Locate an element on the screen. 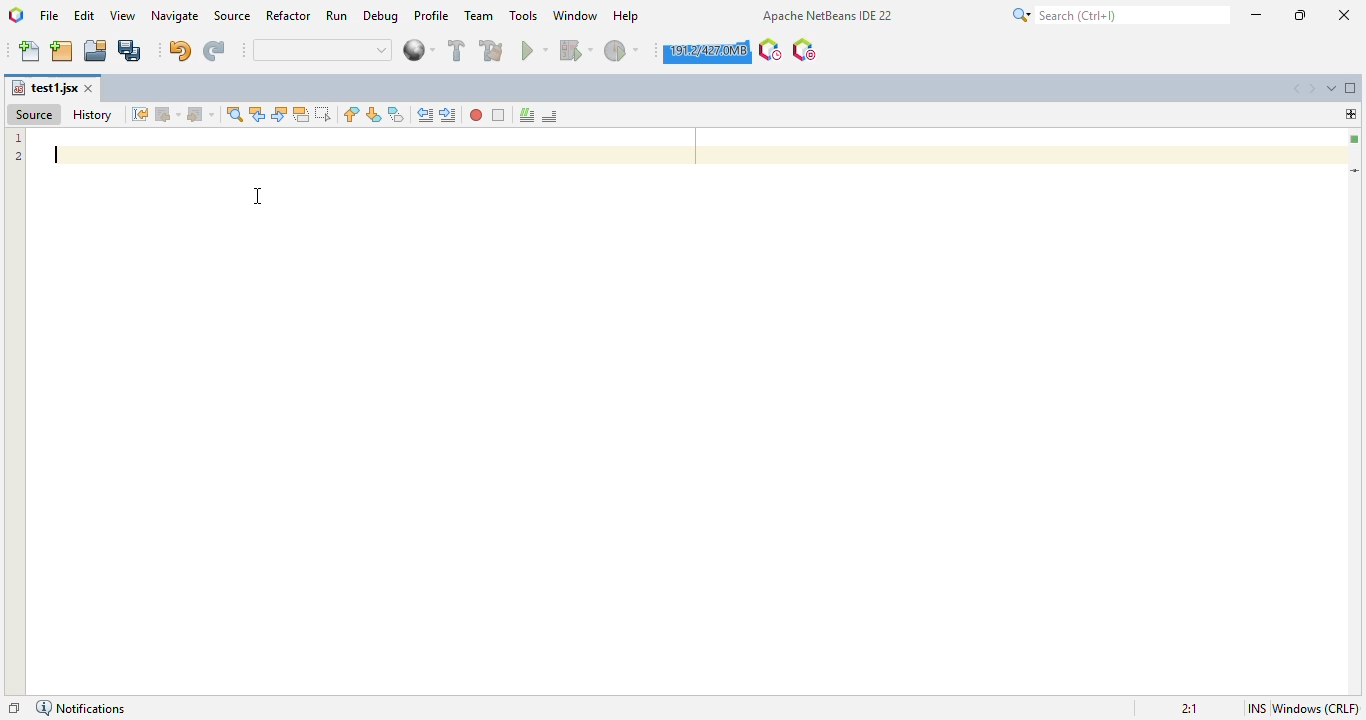 The height and width of the screenshot is (720, 1366). no errors is located at coordinates (1353, 140).